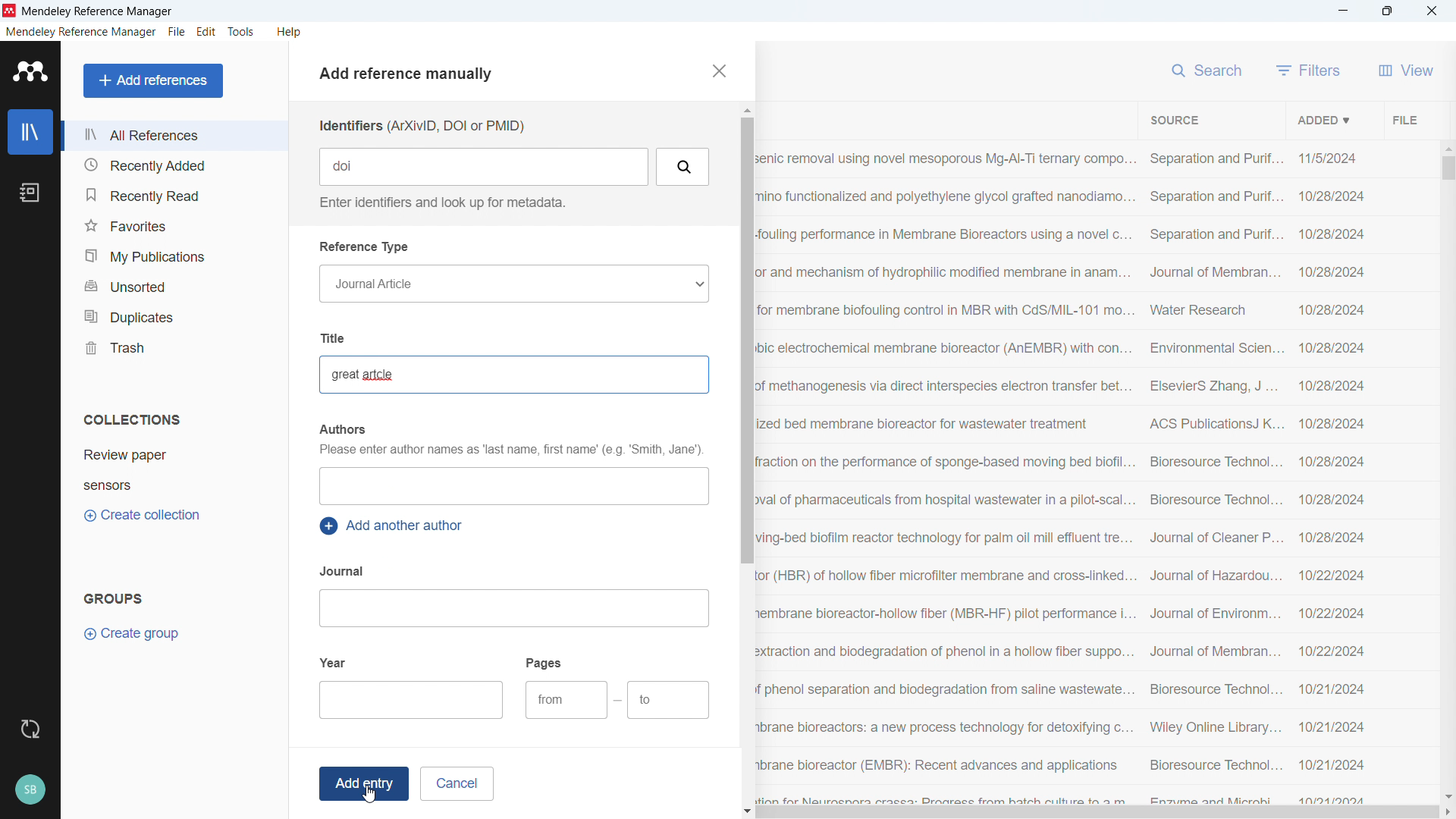 The width and height of the screenshot is (1456, 819). I want to click on Add year of publication , so click(413, 700).